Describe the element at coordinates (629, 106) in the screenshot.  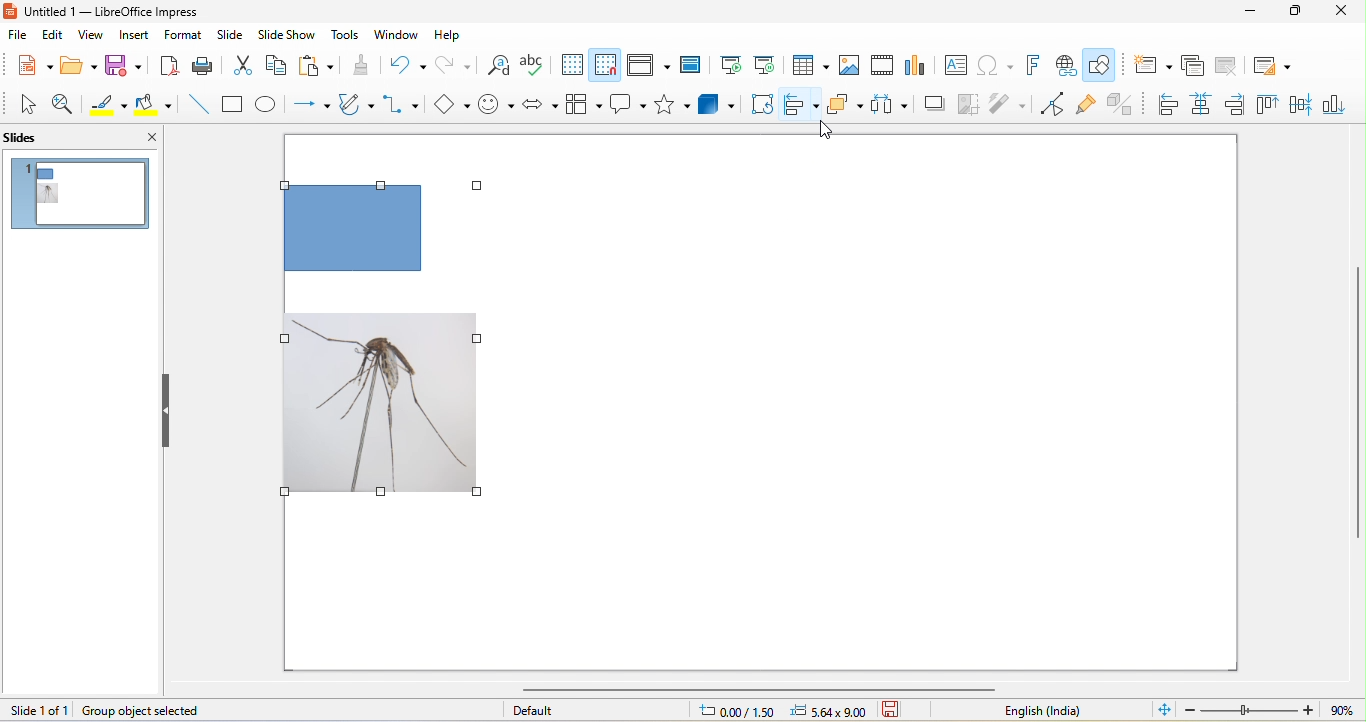
I see `callout shapes` at that location.